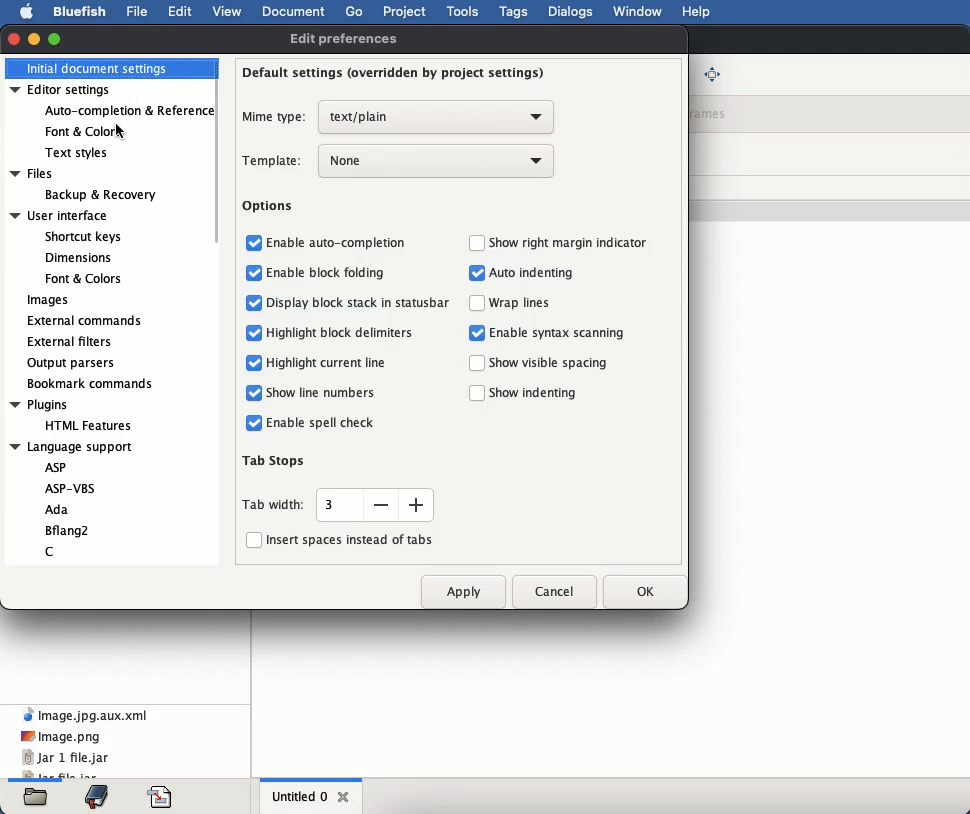  I want to click on close, so click(15, 40).